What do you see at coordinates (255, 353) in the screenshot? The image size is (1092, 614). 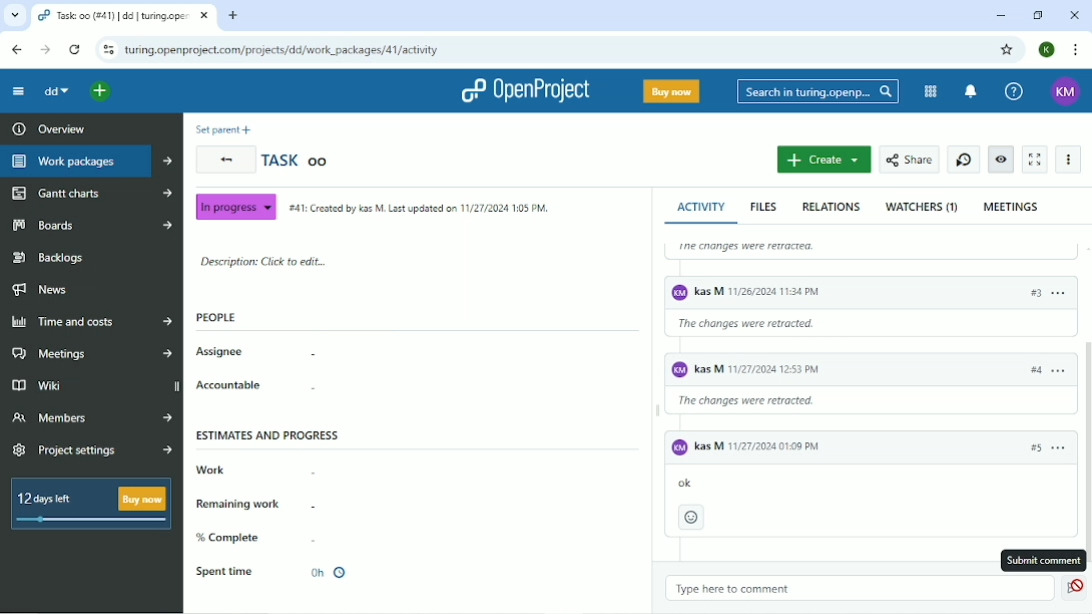 I see `Assignee` at bounding box center [255, 353].